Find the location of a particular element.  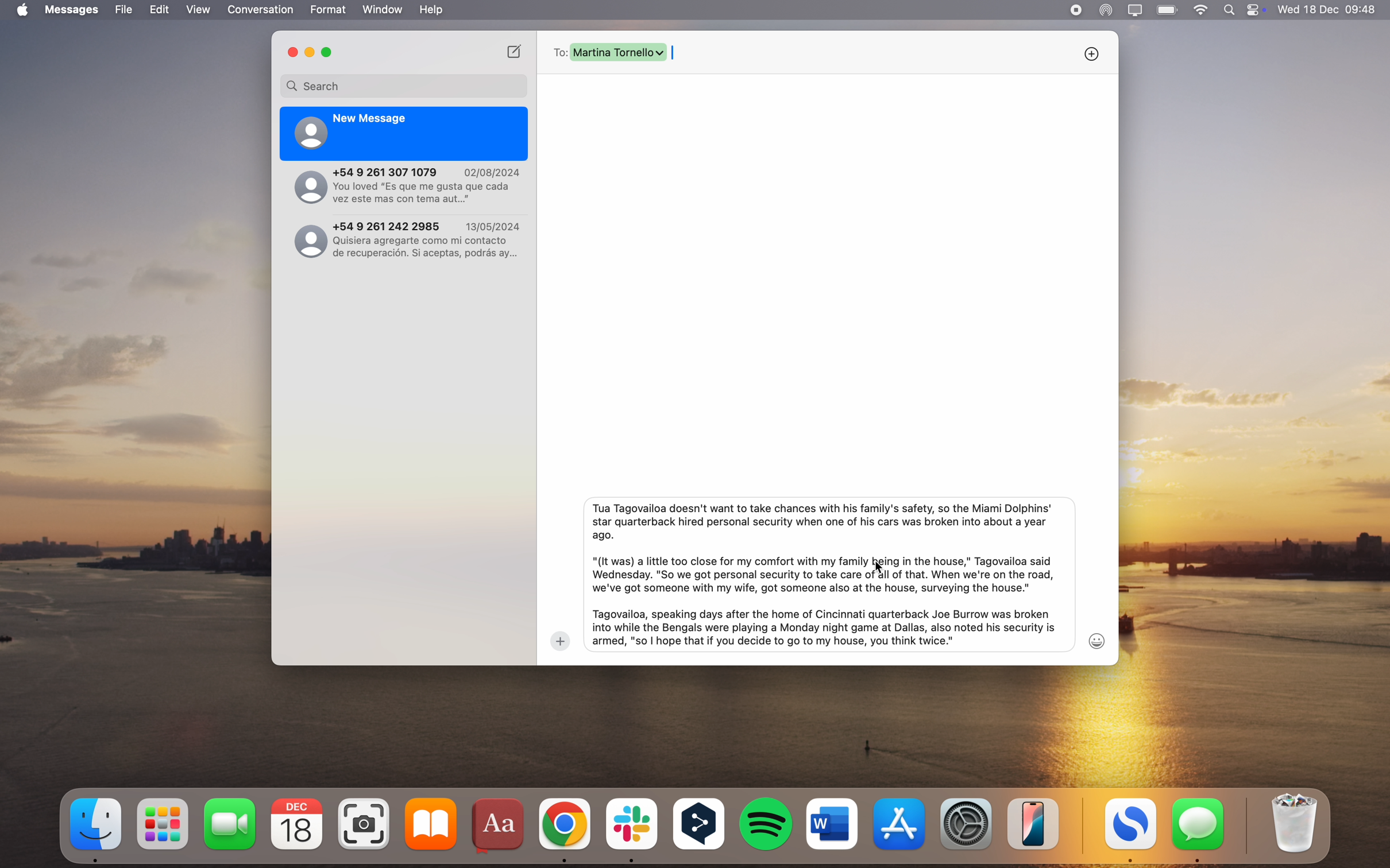

message from +5492613071079 is located at coordinates (407, 187).